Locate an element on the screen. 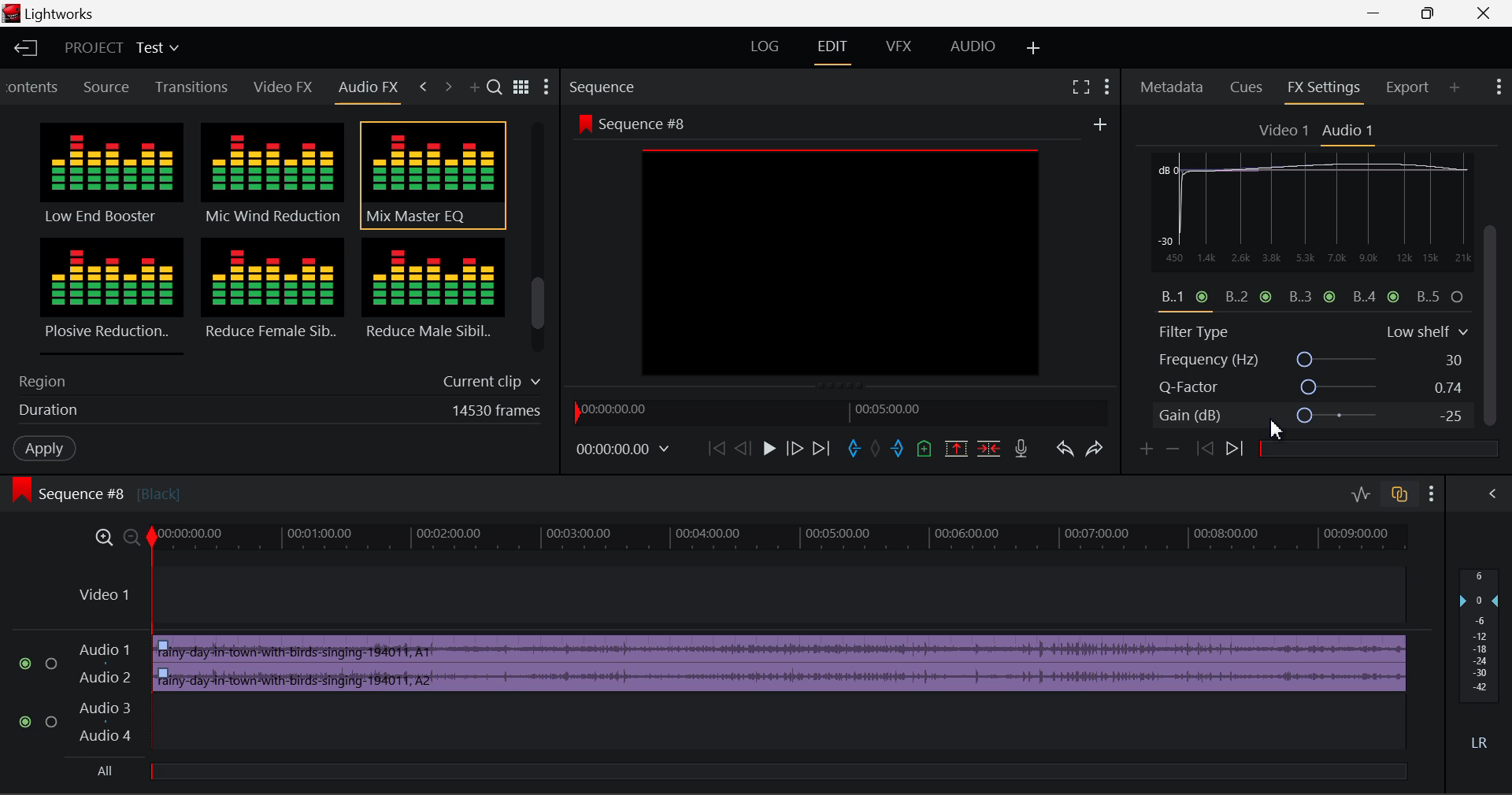  Mix Master EQ is located at coordinates (430, 176).